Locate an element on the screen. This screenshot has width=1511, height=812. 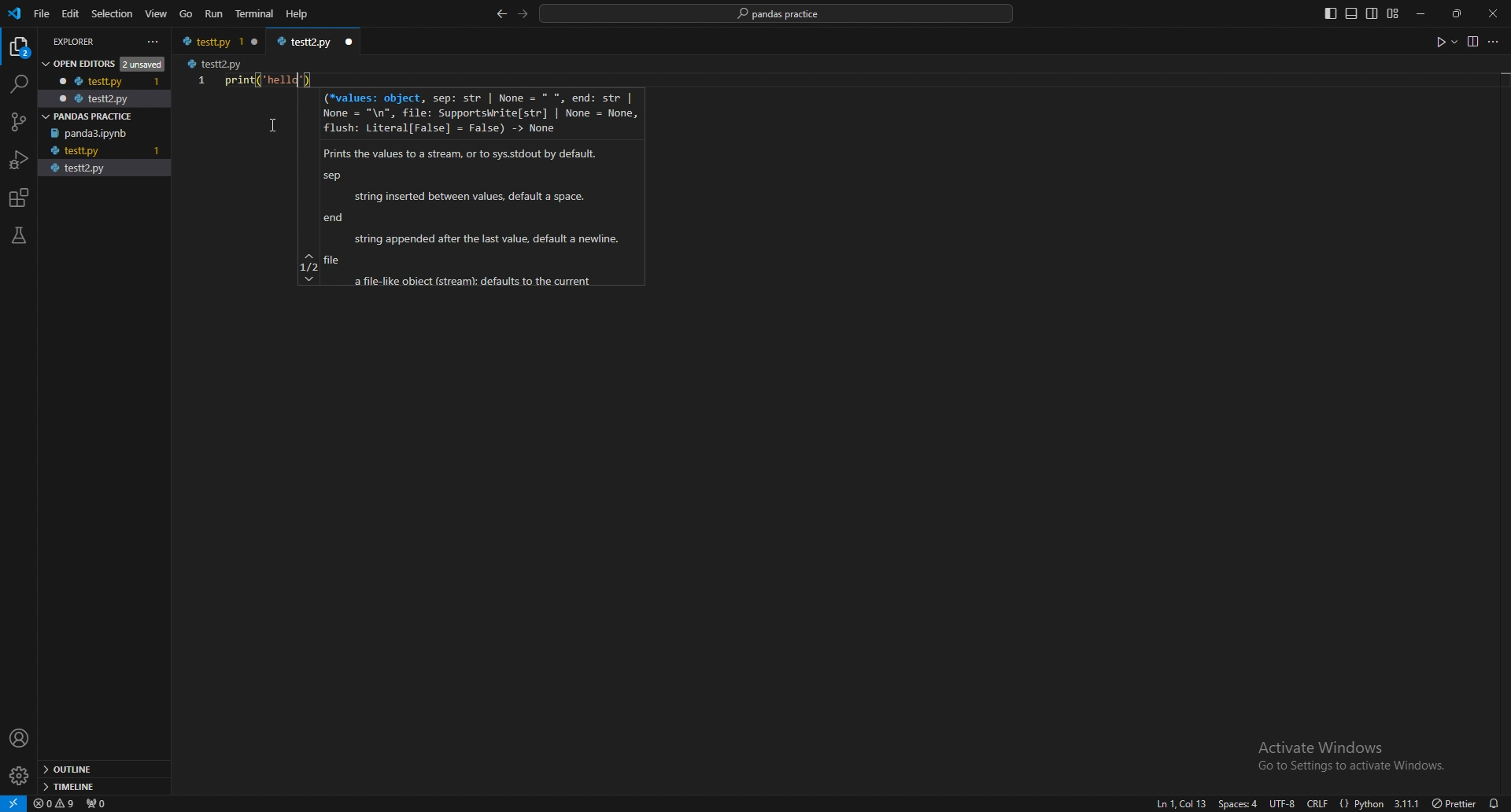
timeline is located at coordinates (102, 785).